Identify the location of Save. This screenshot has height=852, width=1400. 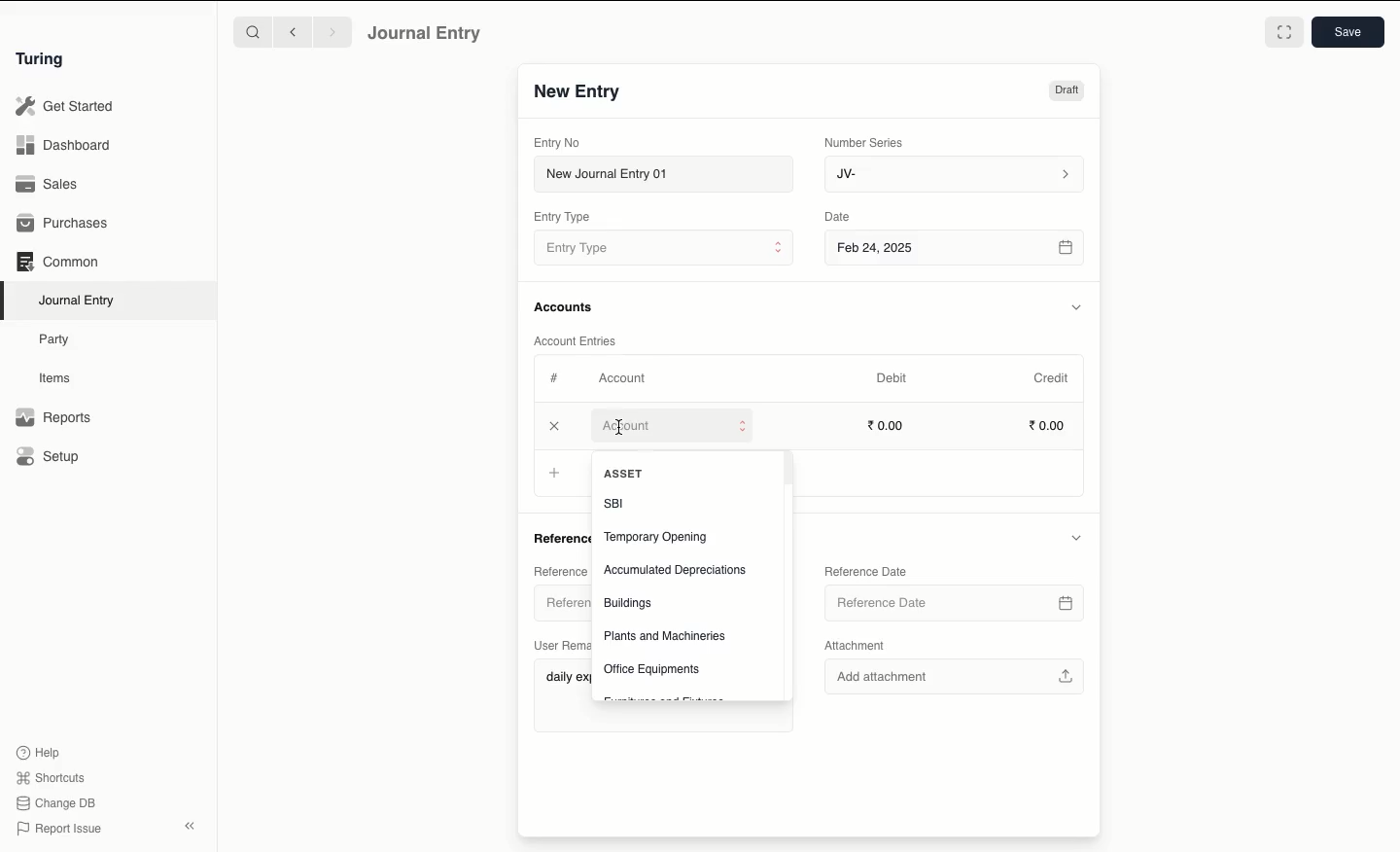
(1348, 32).